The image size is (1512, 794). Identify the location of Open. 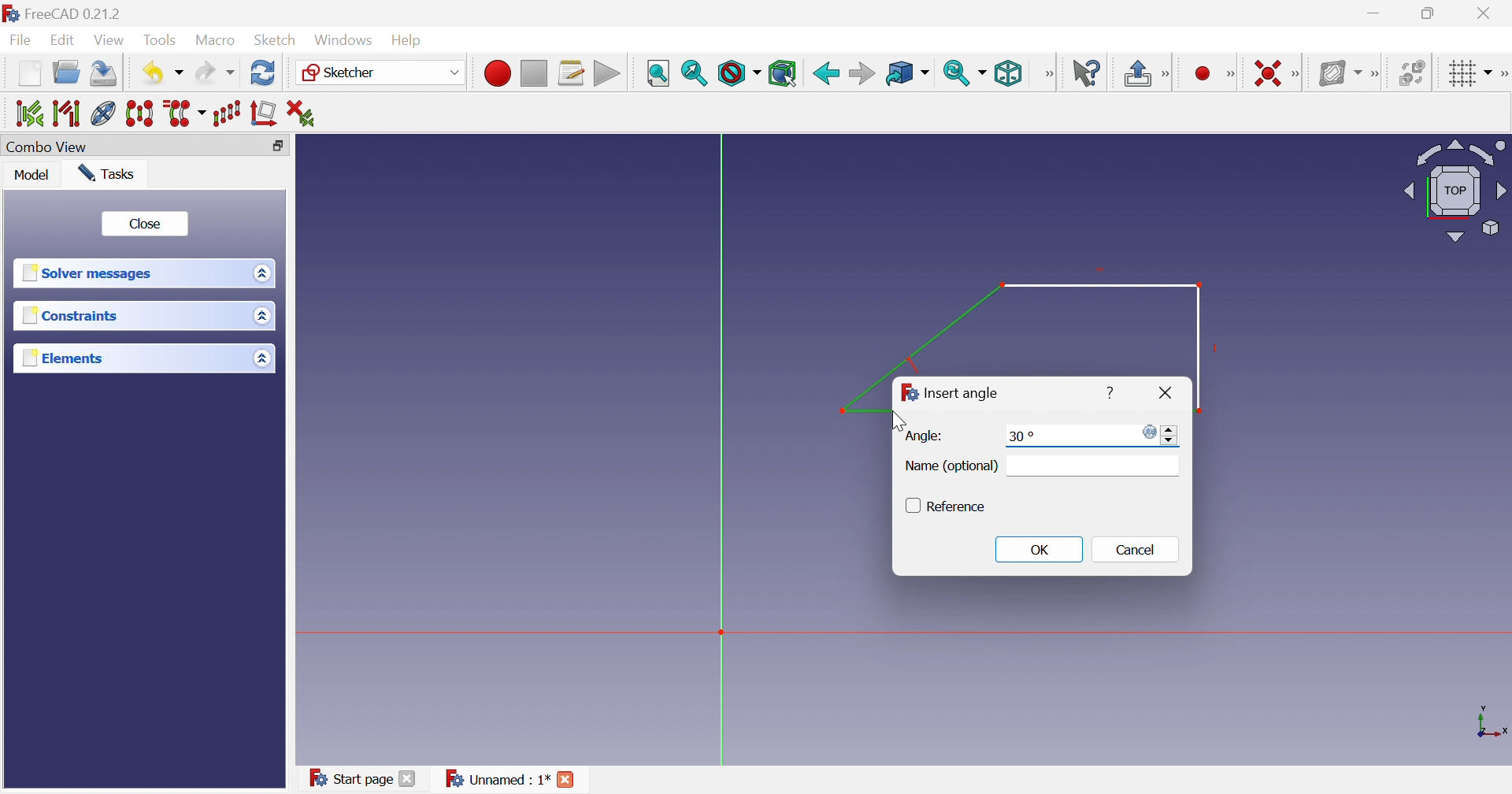
(69, 75).